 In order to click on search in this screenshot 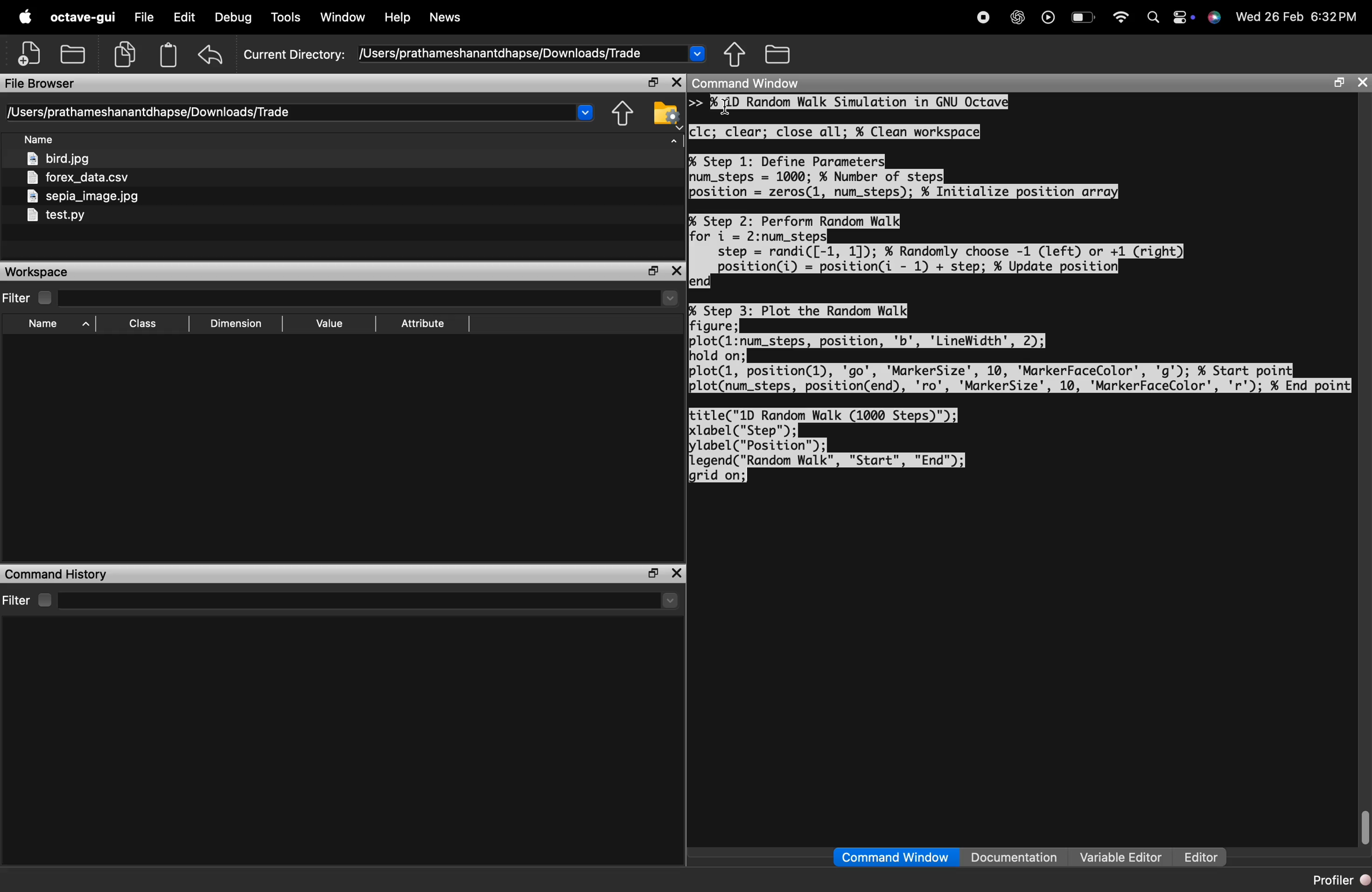, I will do `click(1152, 17)`.